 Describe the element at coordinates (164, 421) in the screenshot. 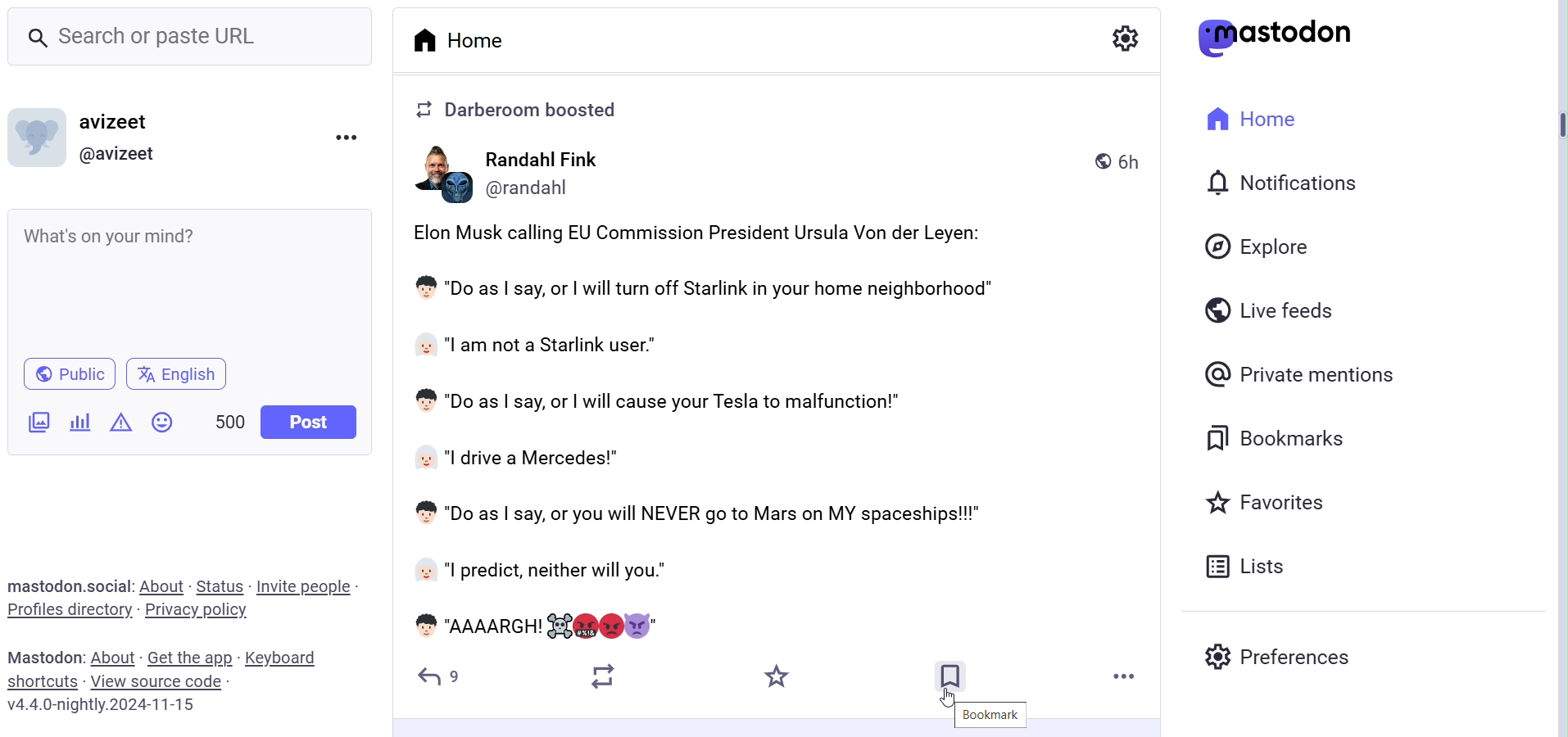

I see `Emojis` at that location.